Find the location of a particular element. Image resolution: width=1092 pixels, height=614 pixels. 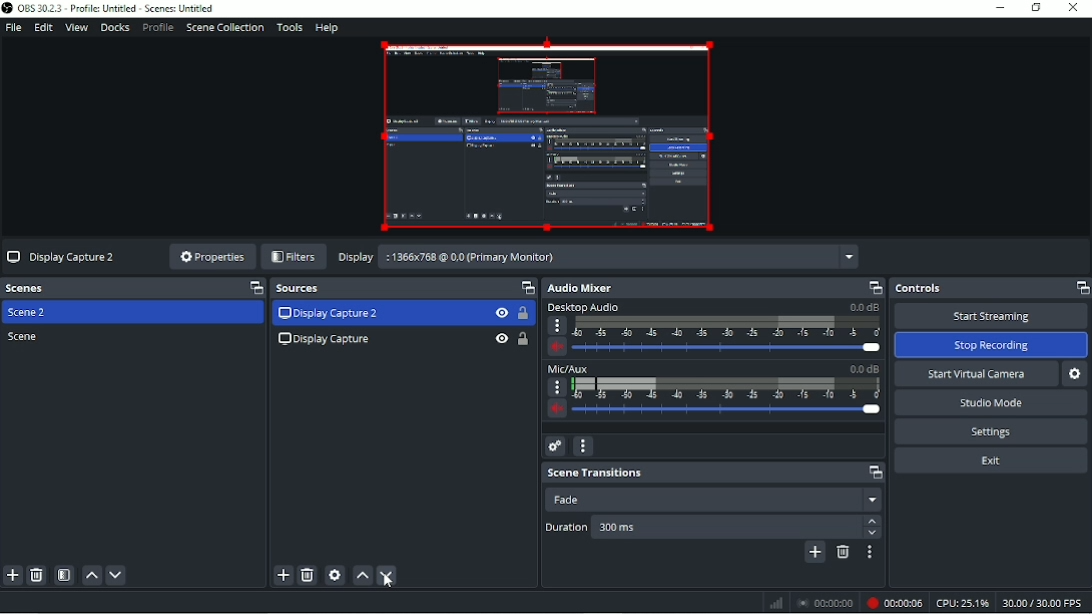

Audio Mixer is located at coordinates (713, 287).